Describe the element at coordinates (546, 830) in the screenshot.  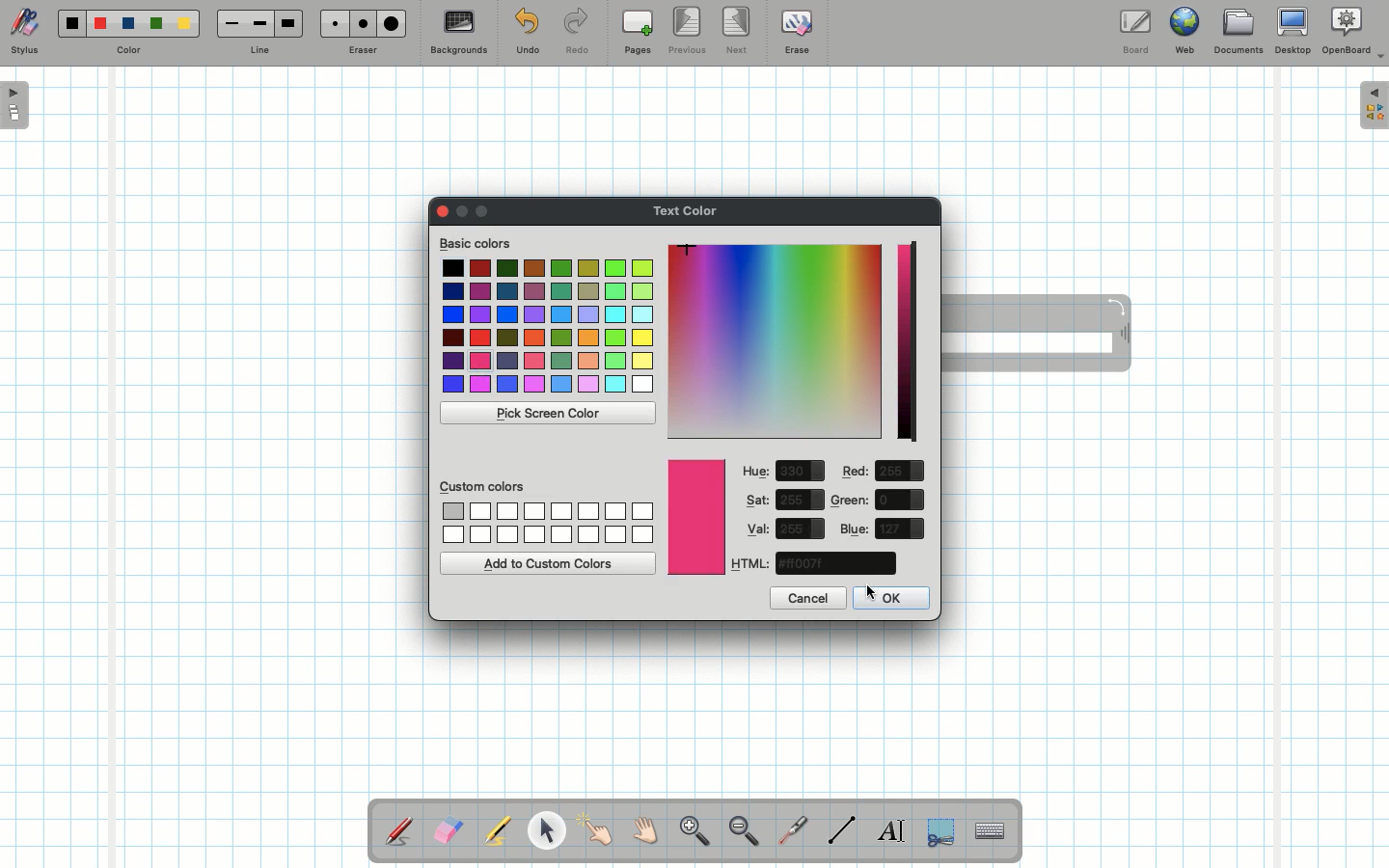
I see `Pointer` at that location.